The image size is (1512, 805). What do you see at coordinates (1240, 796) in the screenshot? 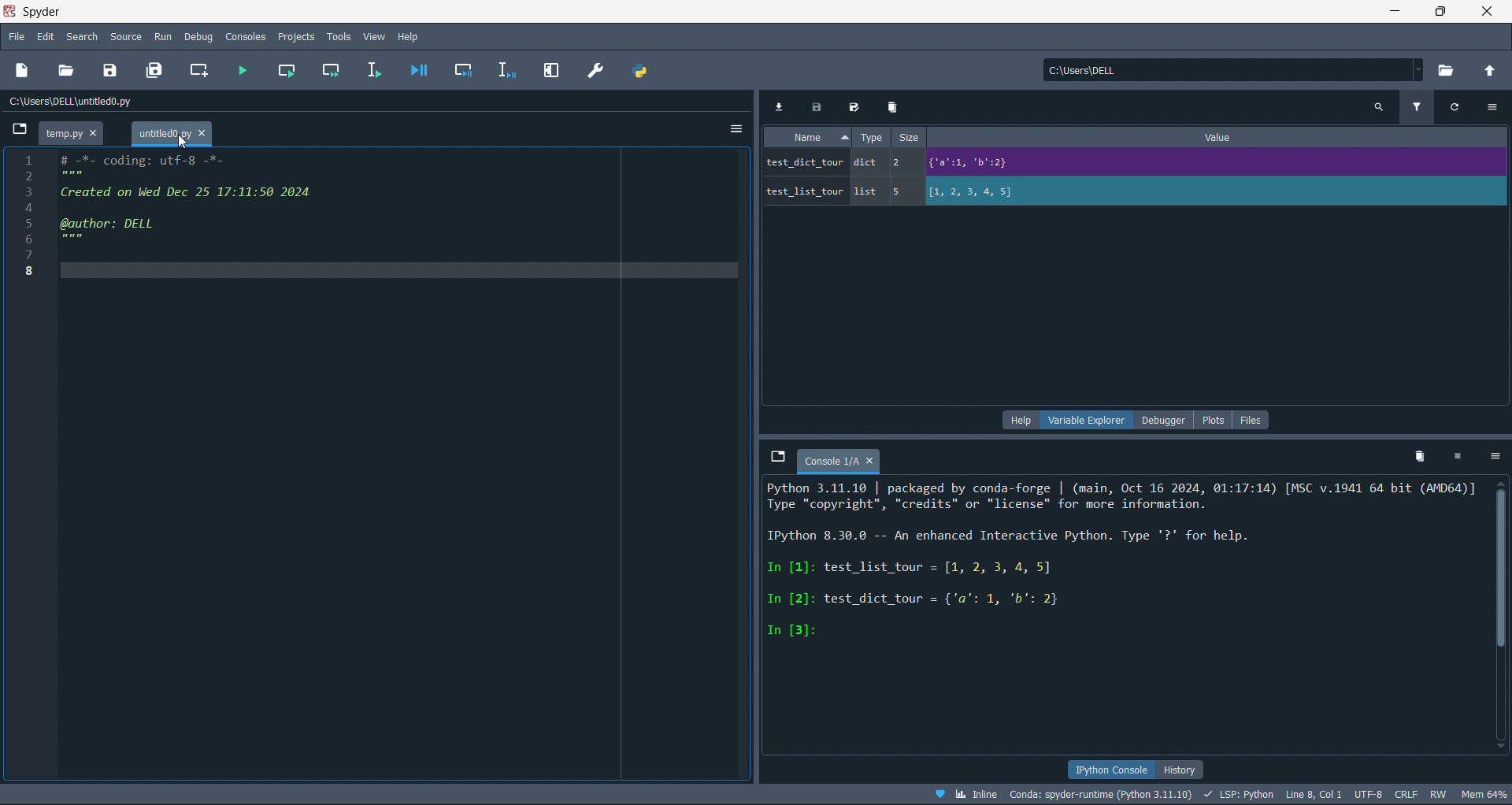
I see `LSP: Python` at bounding box center [1240, 796].